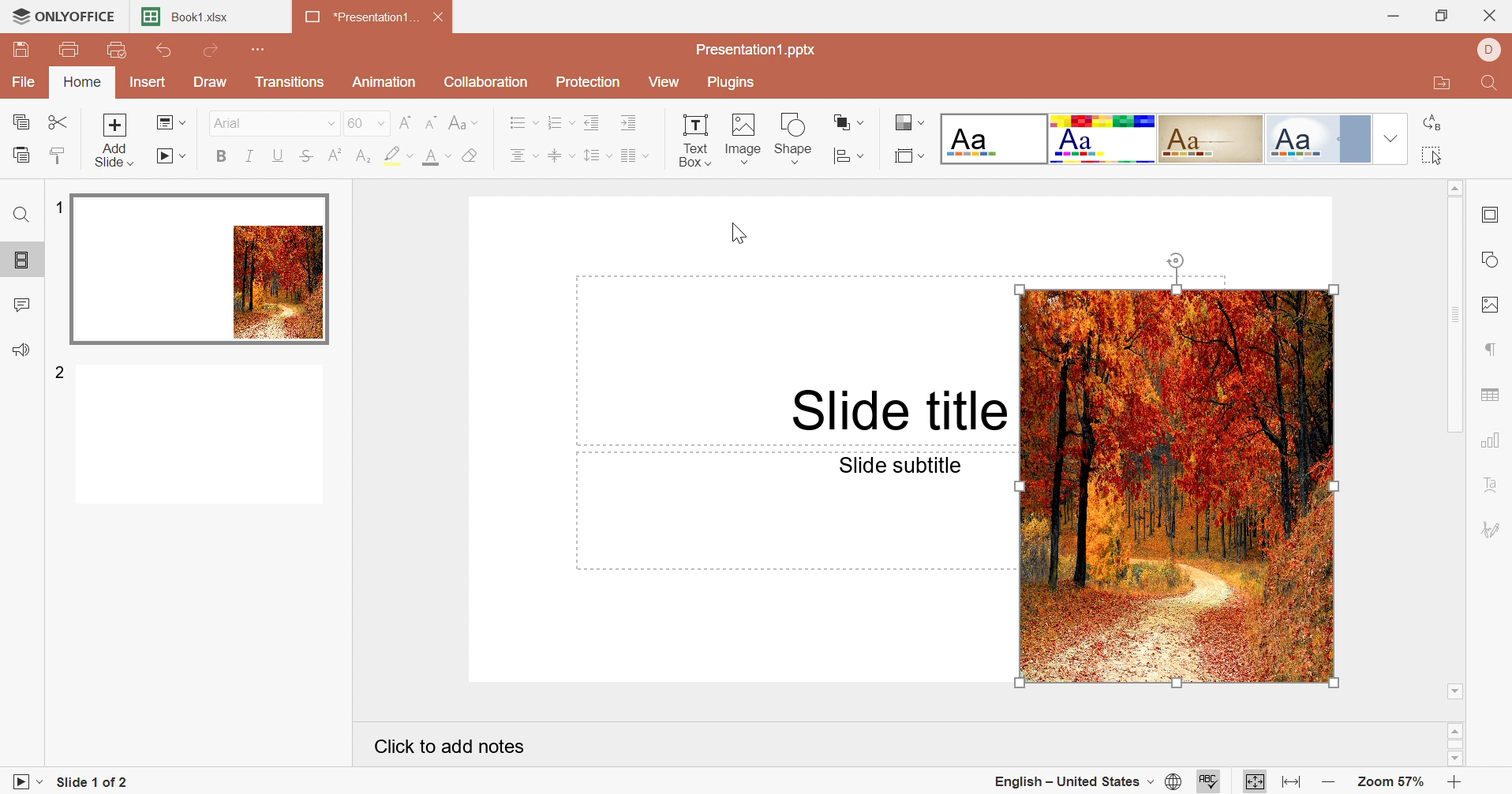 The image size is (1512, 794). What do you see at coordinates (61, 156) in the screenshot?
I see `Copy style` at bounding box center [61, 156].